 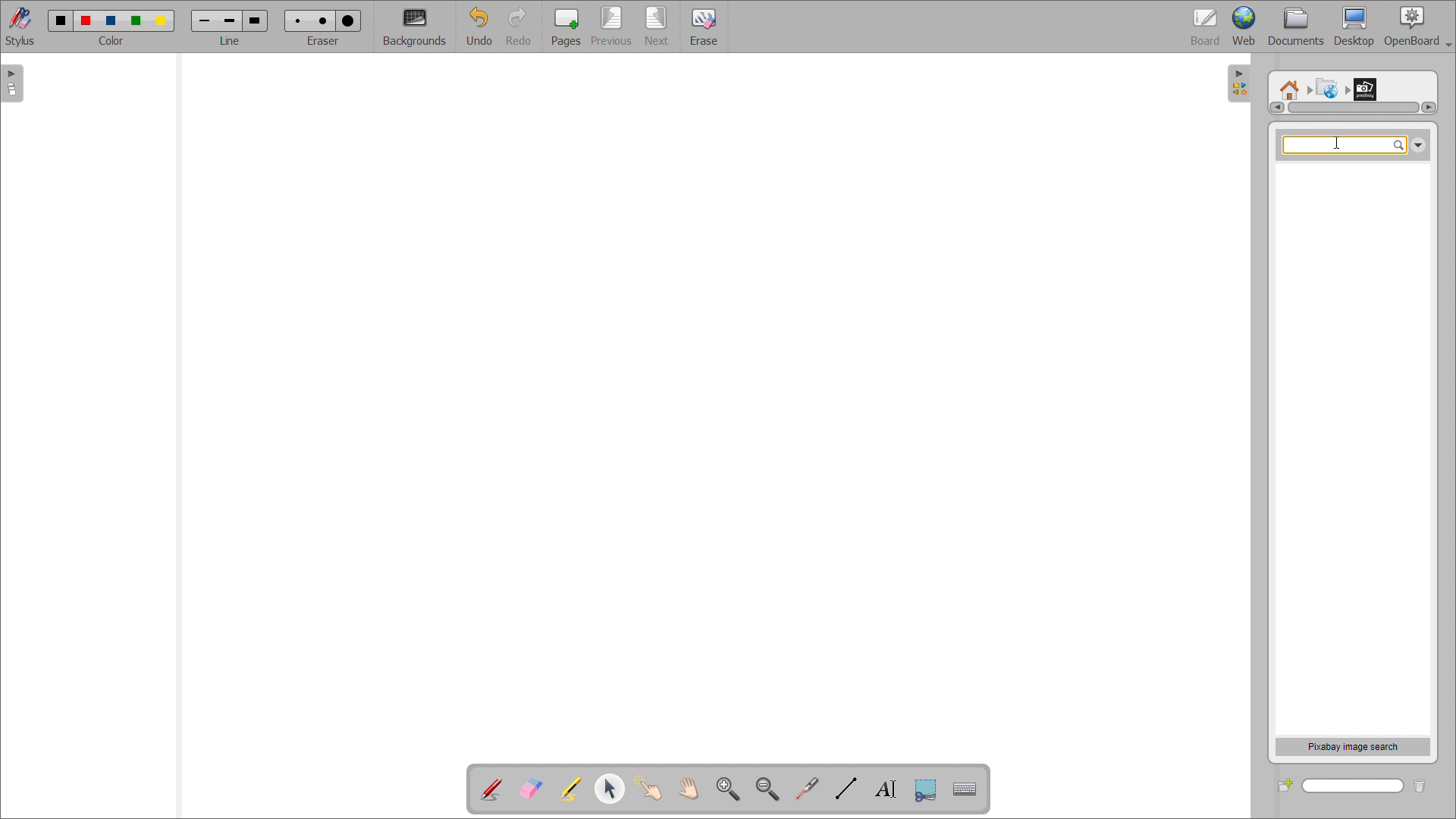 What do you see at coordinates (1353, 746) in the screenshot?
I see `pixabay image search` at bounding box center [1353, 746].